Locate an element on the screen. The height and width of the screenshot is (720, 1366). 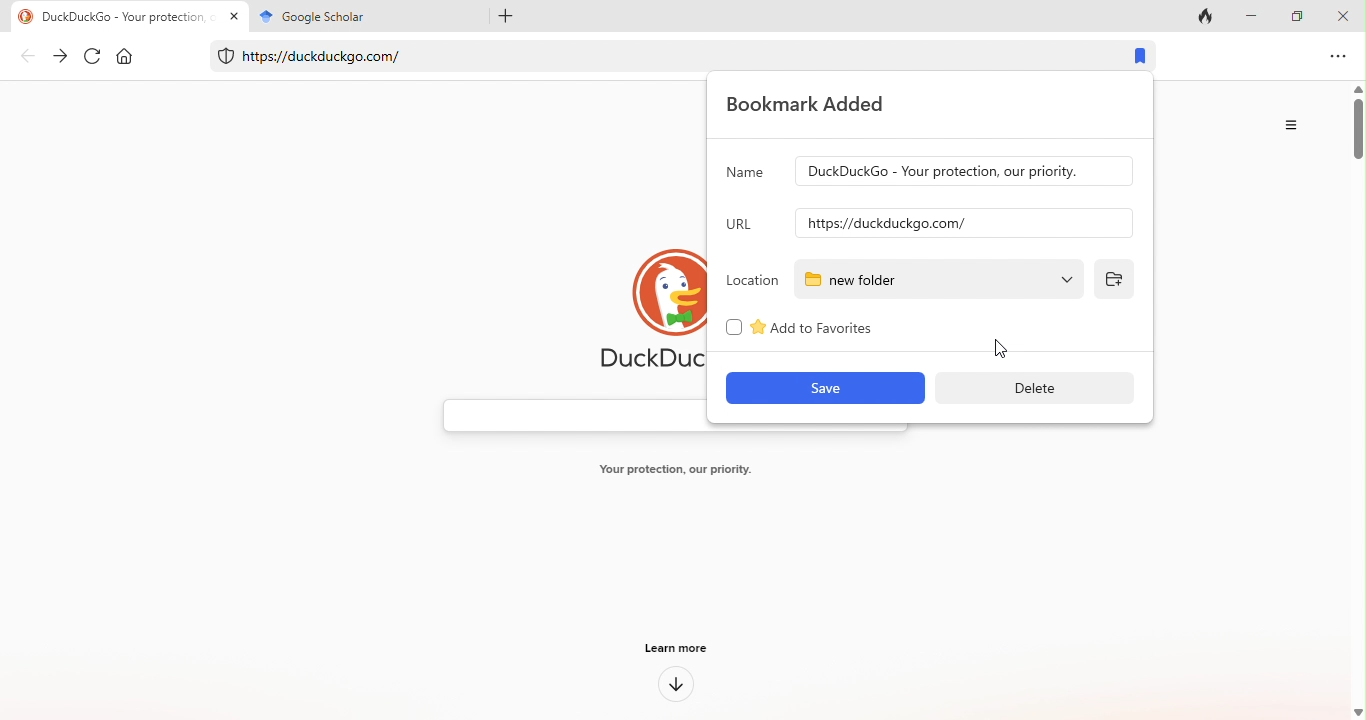
move up is located at coordinates (1357, 91).